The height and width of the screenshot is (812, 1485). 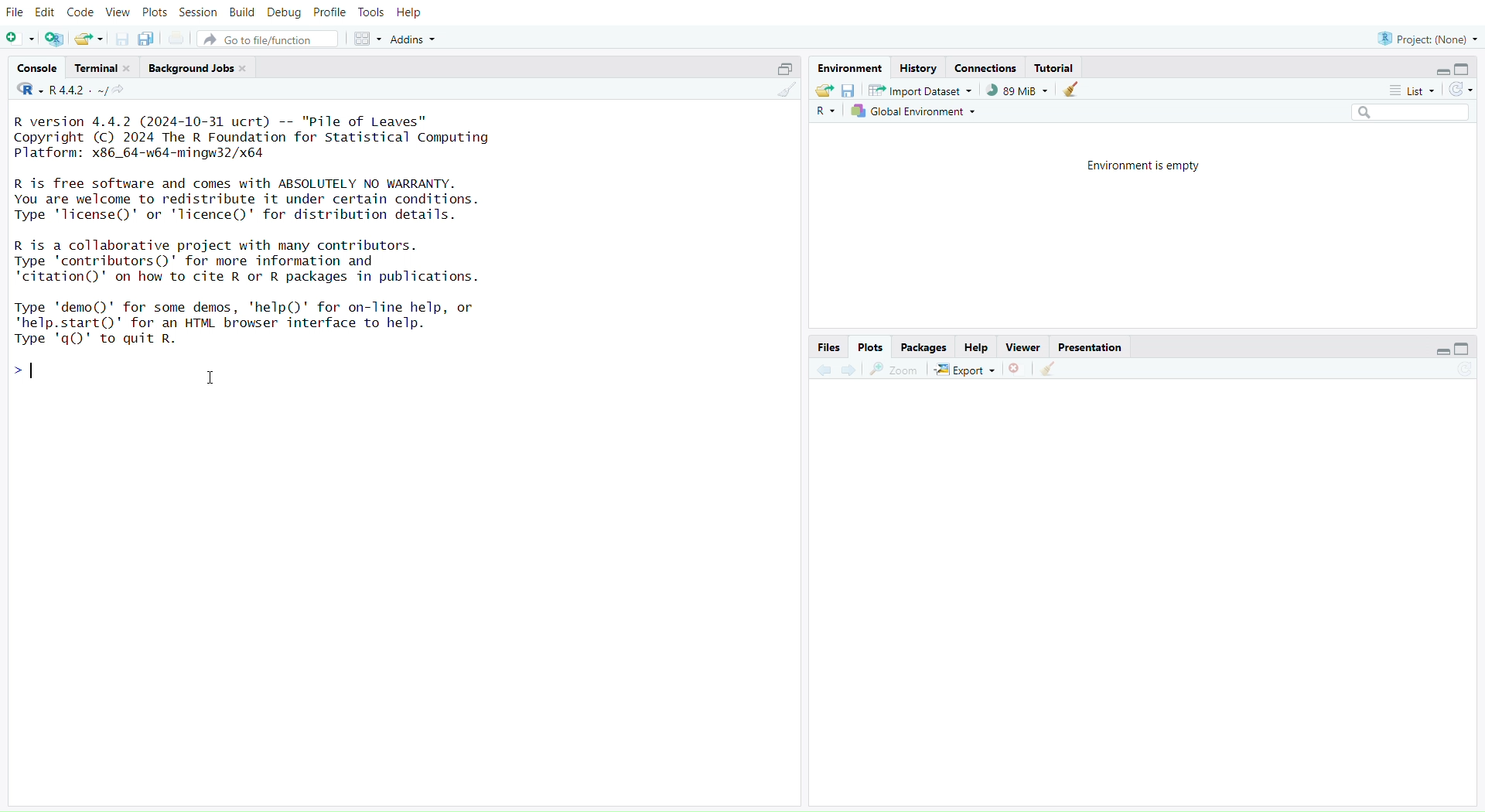 I want to click on Save all open documents (Ctrl + Alt + S), so click(x=151, y=38).